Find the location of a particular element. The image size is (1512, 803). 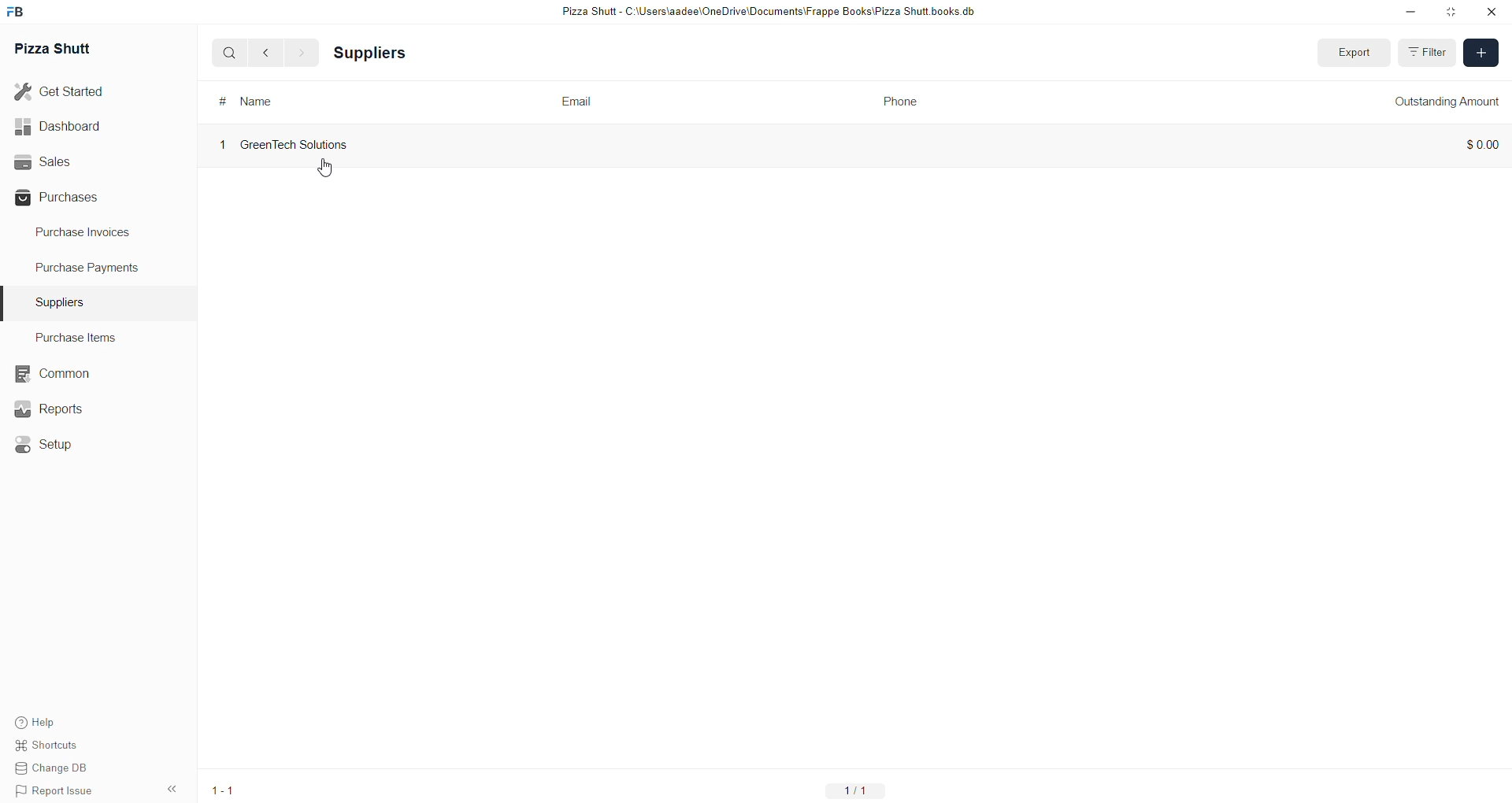

1-1 is located at coordinates (221, 791).